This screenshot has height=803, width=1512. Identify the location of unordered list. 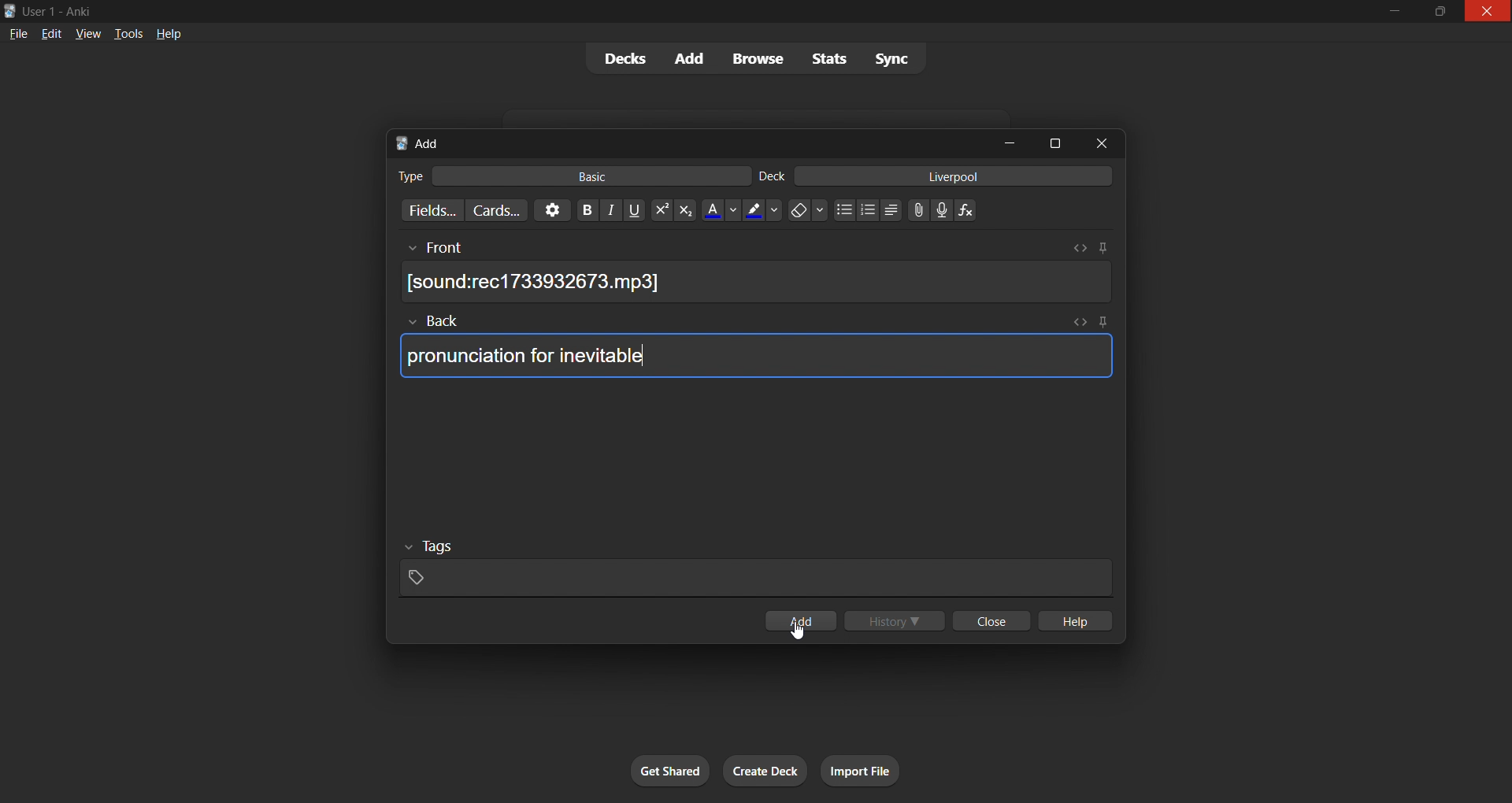
(841, 209).